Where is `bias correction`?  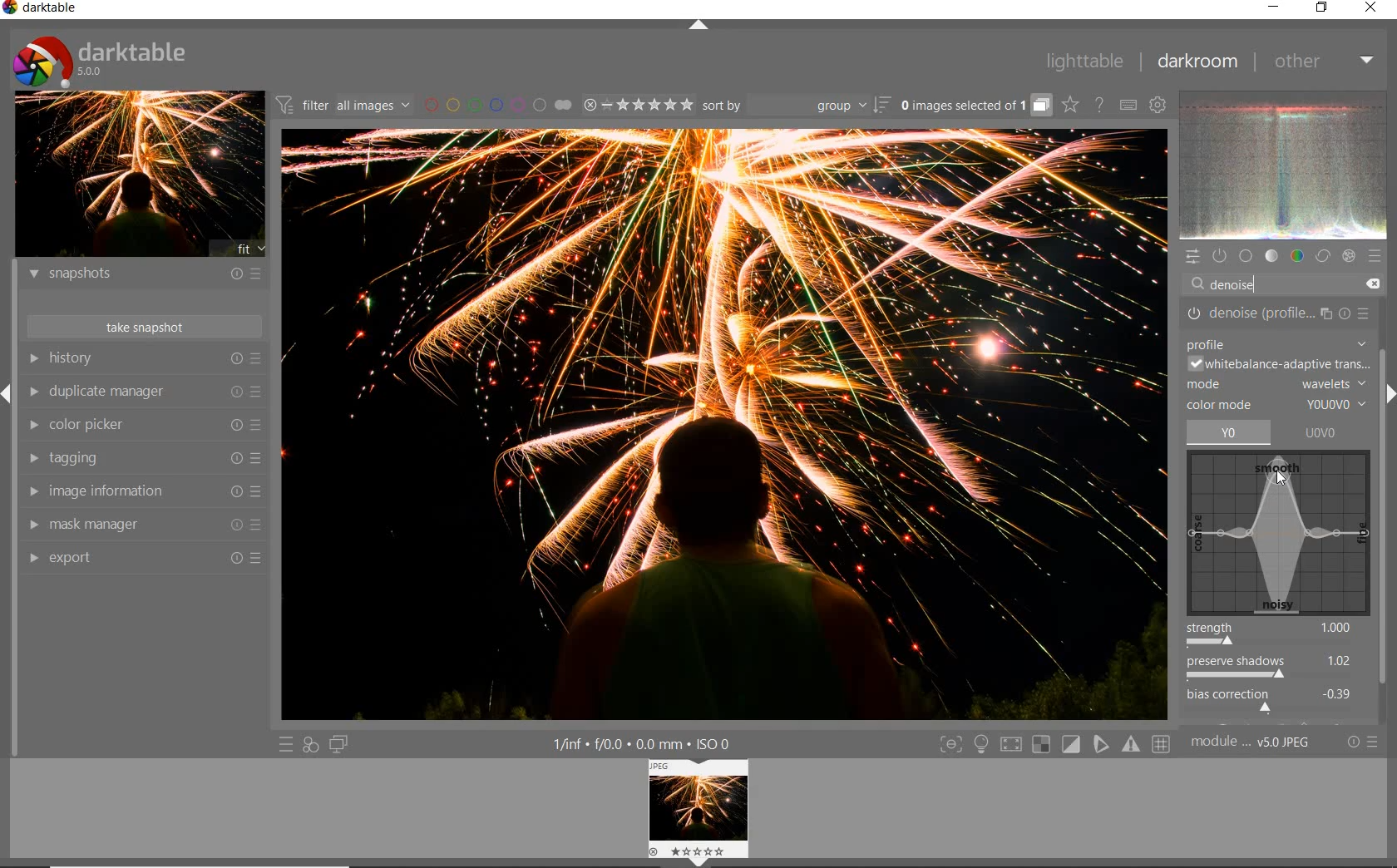 bias correction is located at coordinates (1275, 703).